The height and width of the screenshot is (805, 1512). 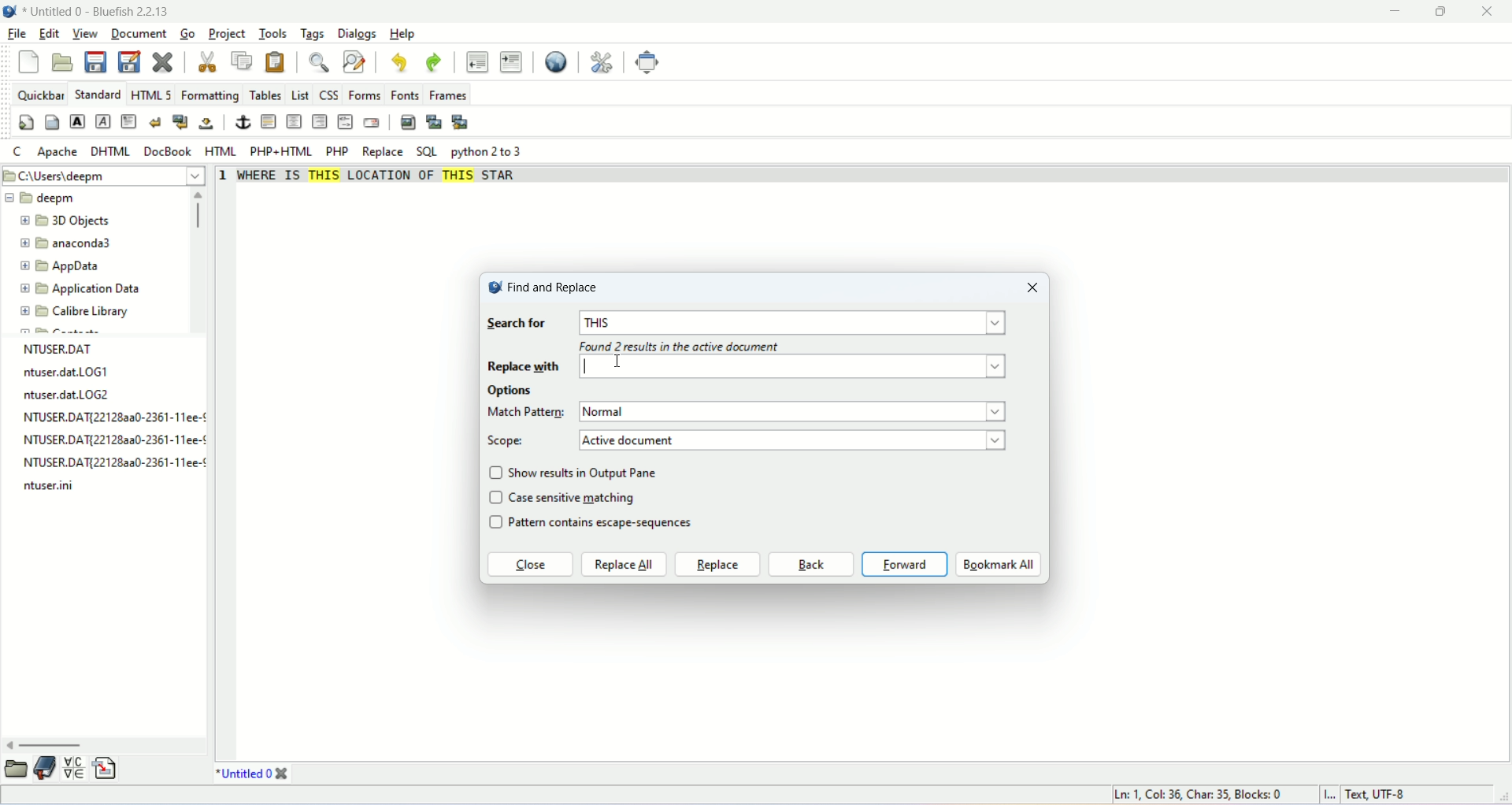 I want to click on view in browser, so click(x=555, y=63).